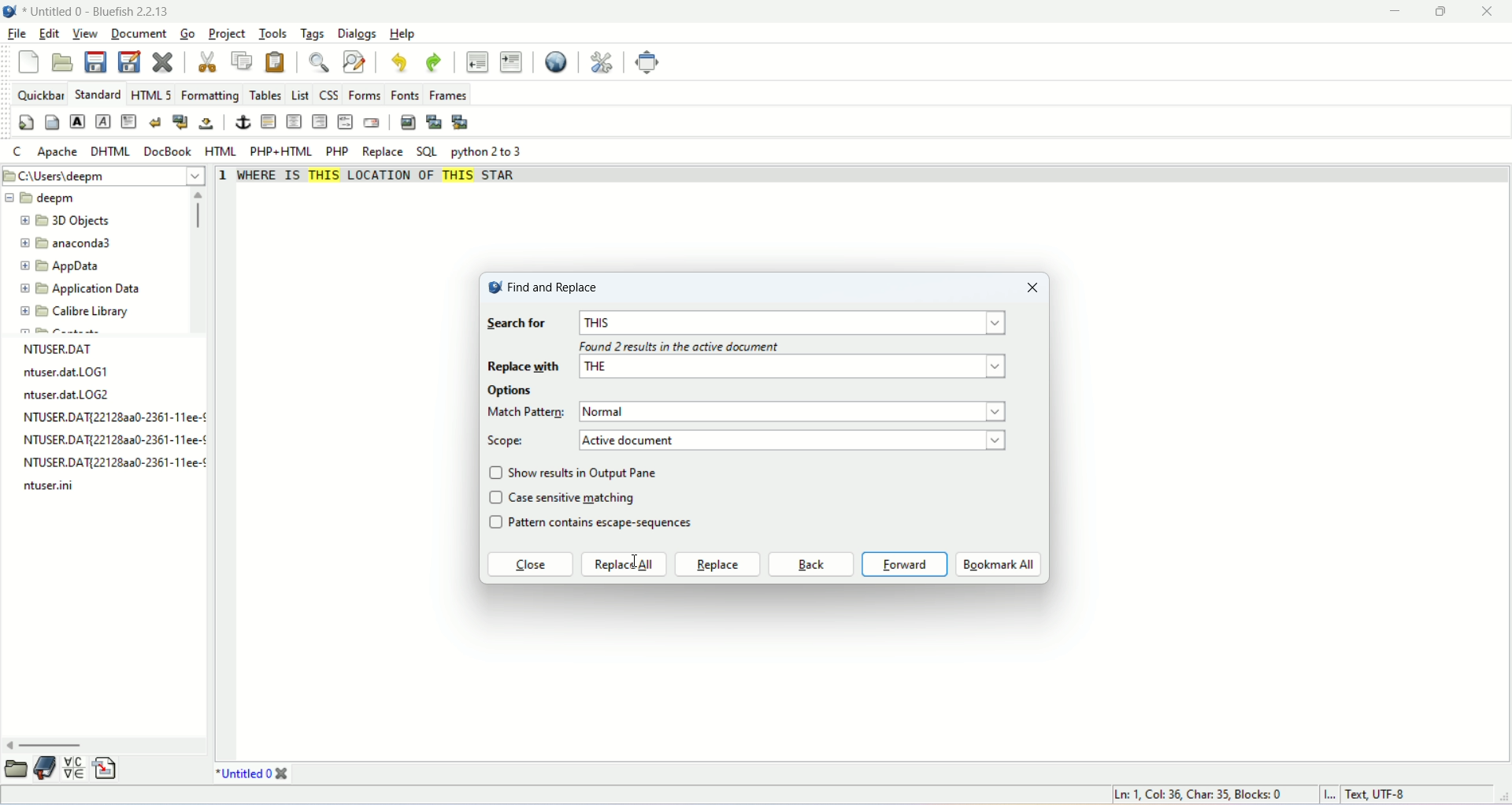 The width and height of the screenshot is (1512, 805). Describe the element at coordinates (156, 121) in the screenshot. I see `break` at that location.